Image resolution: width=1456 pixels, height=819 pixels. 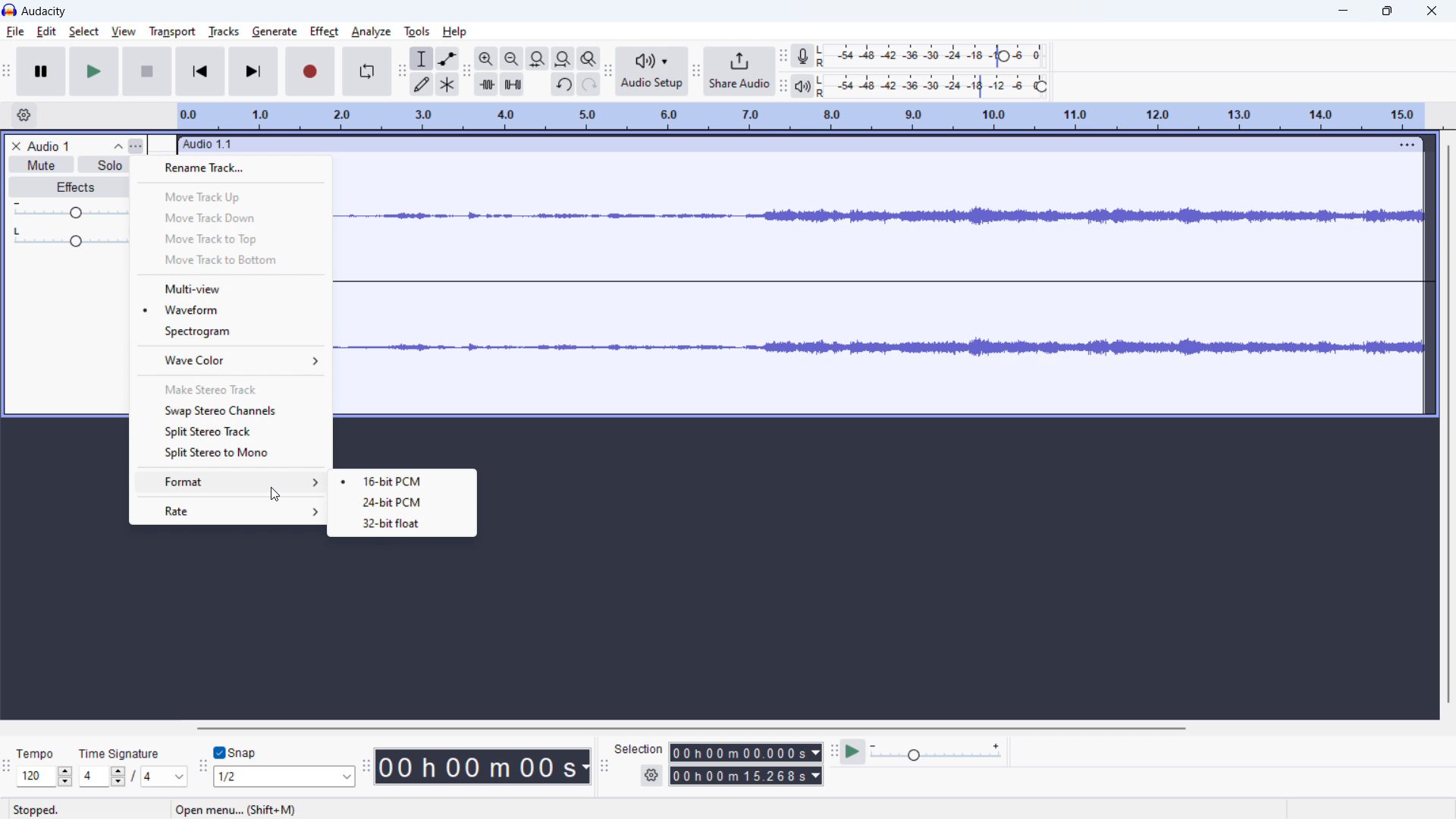 I want to click on share audio toolbar, so click(x=697, y=71).